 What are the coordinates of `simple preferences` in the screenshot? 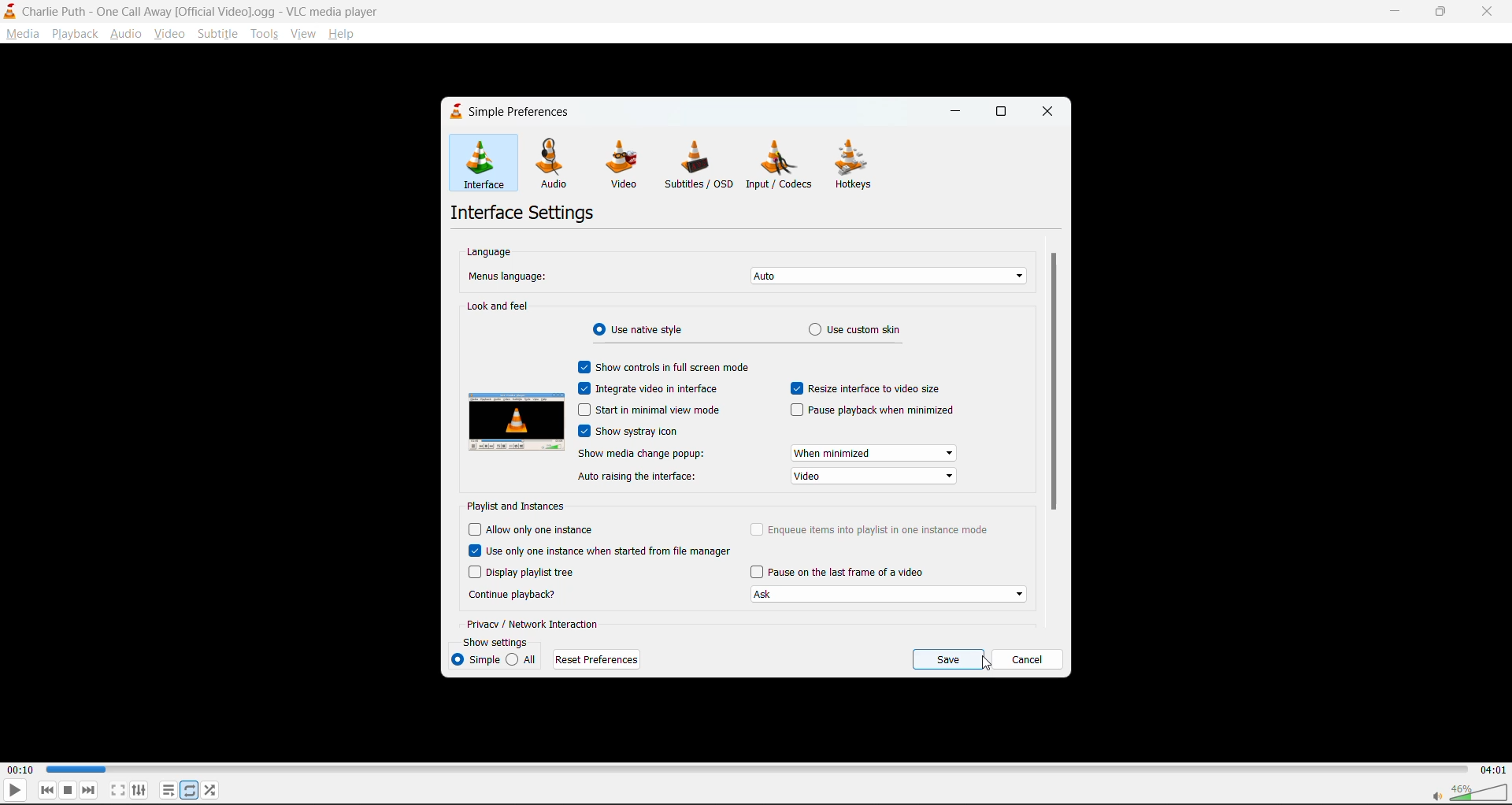 It's located at (512, 114).